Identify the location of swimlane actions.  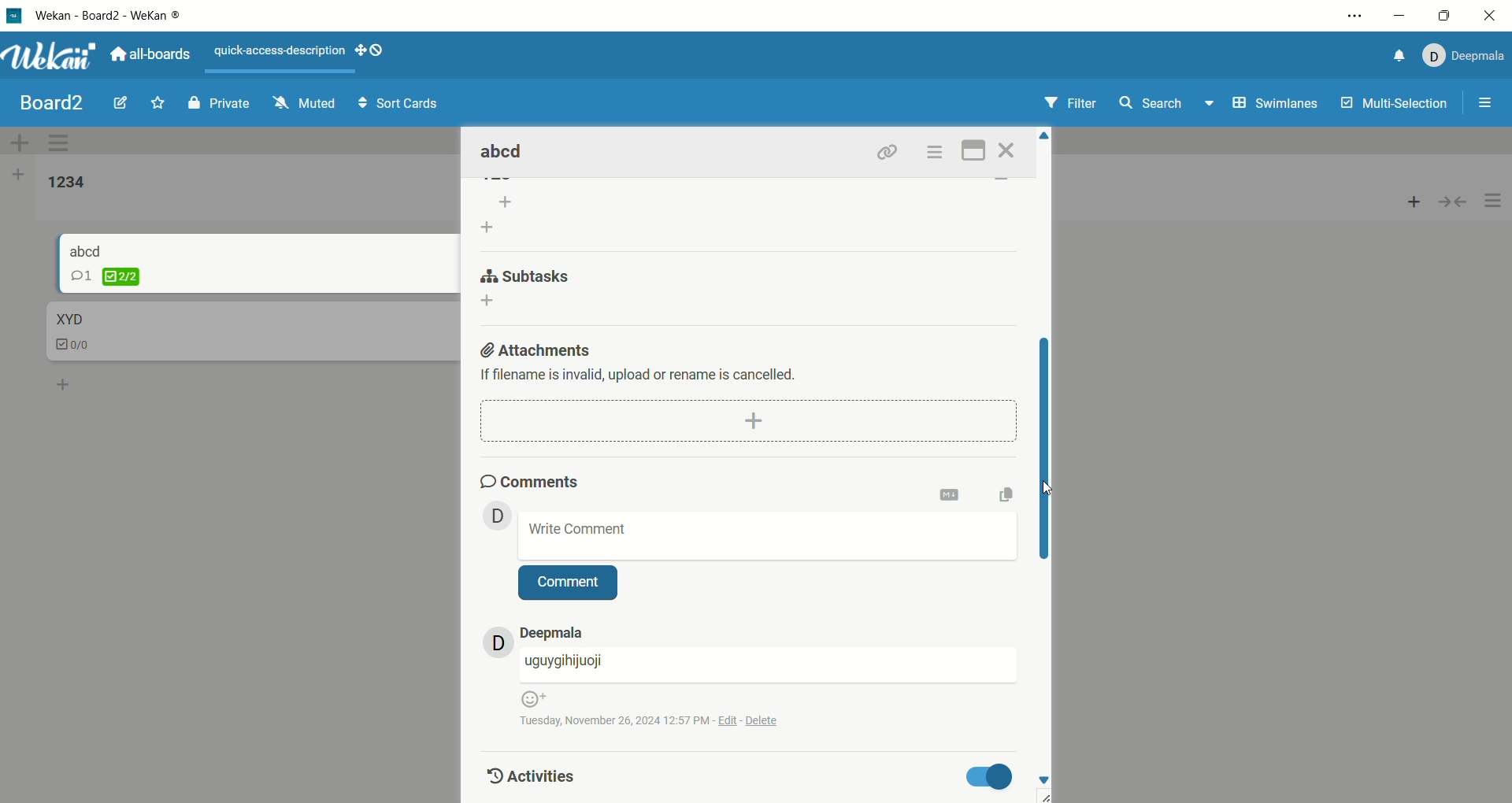
(62, 144).